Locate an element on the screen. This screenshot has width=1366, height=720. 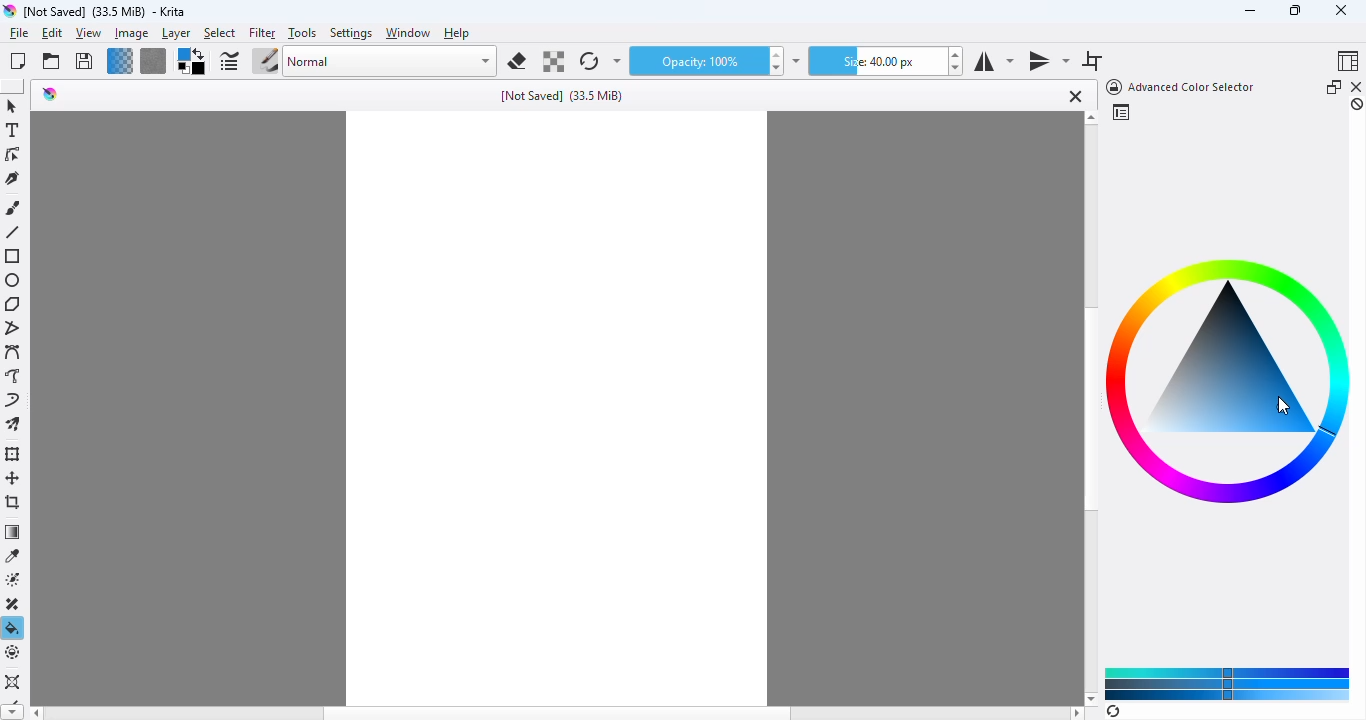
multibrush tool is located at coordinates (13, 424).